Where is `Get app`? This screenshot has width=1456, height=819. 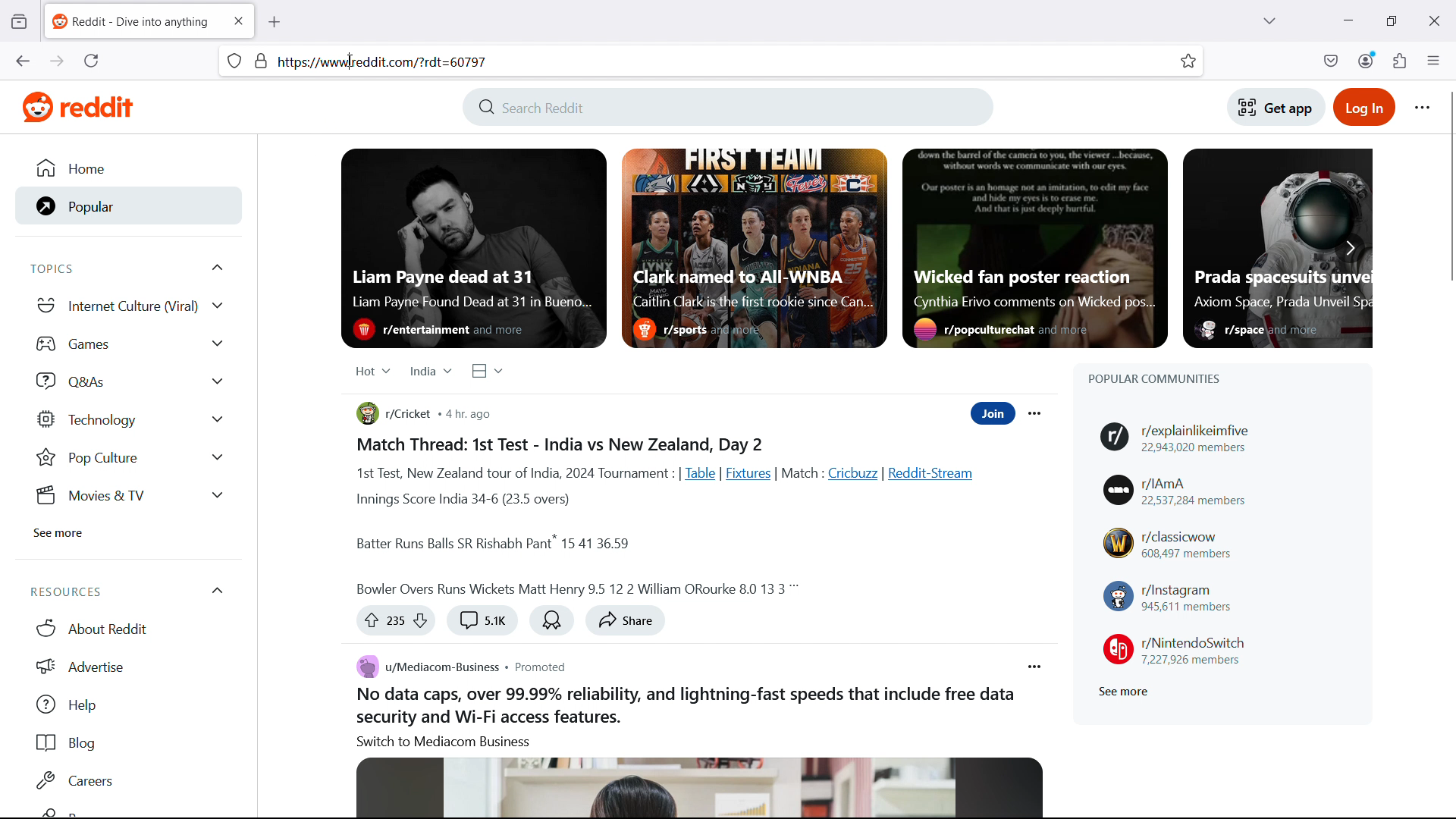
Get app is located at coordinates (1276, 106).